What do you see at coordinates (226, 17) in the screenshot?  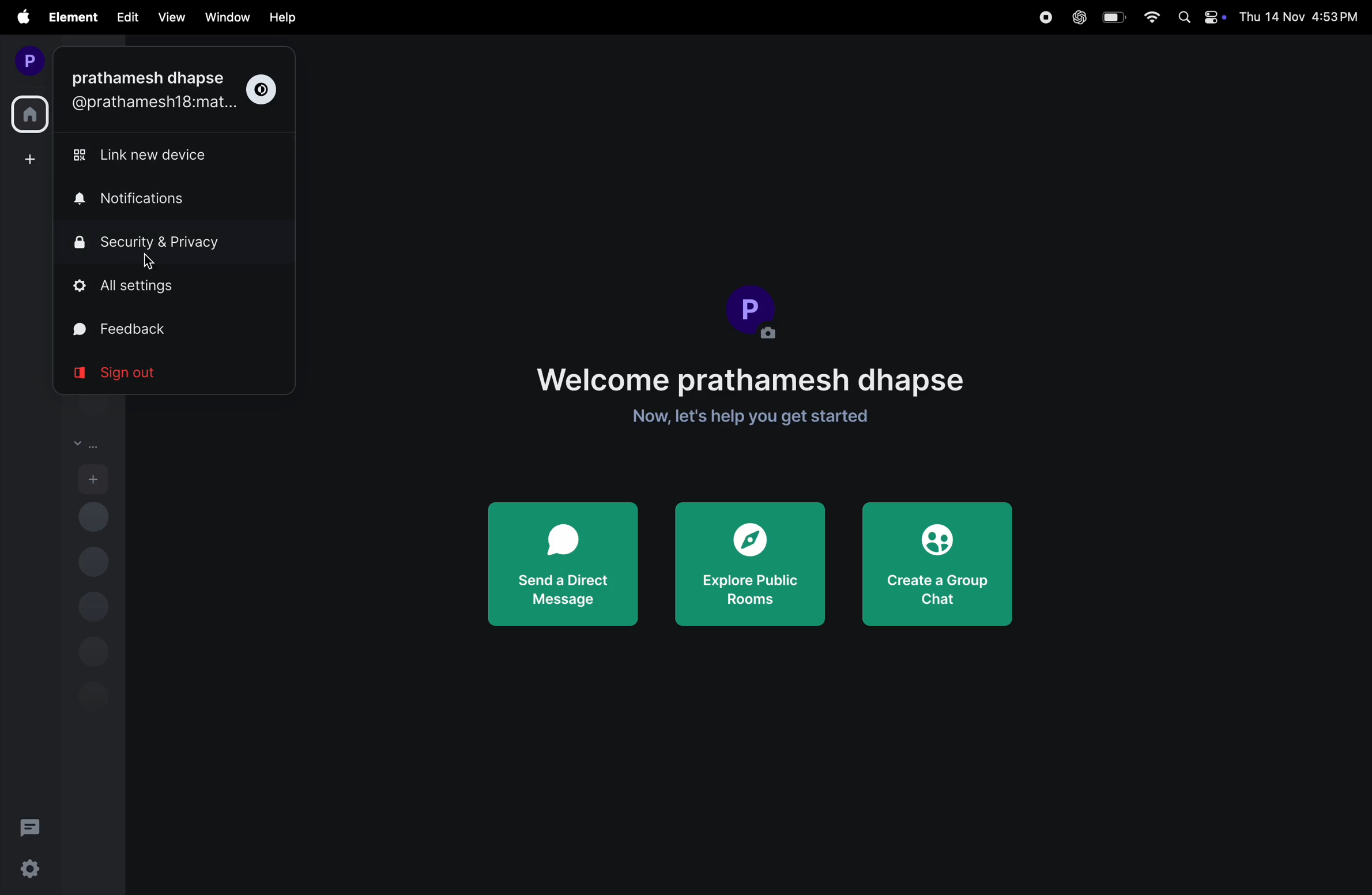 I see `window` at bounding box center [226, 17].